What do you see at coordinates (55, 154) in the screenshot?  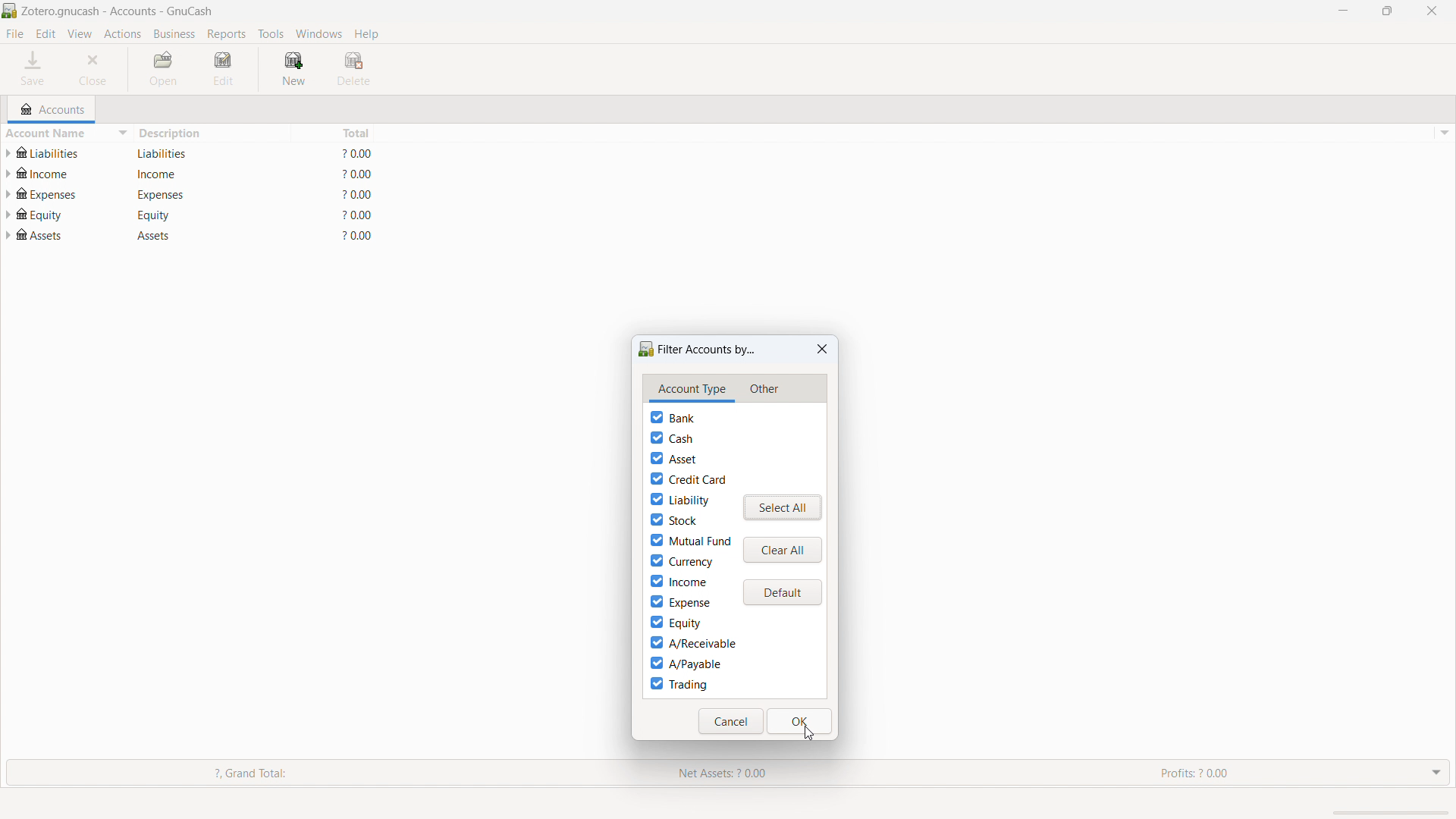 I see `account name` at bounding box center [55, 154].